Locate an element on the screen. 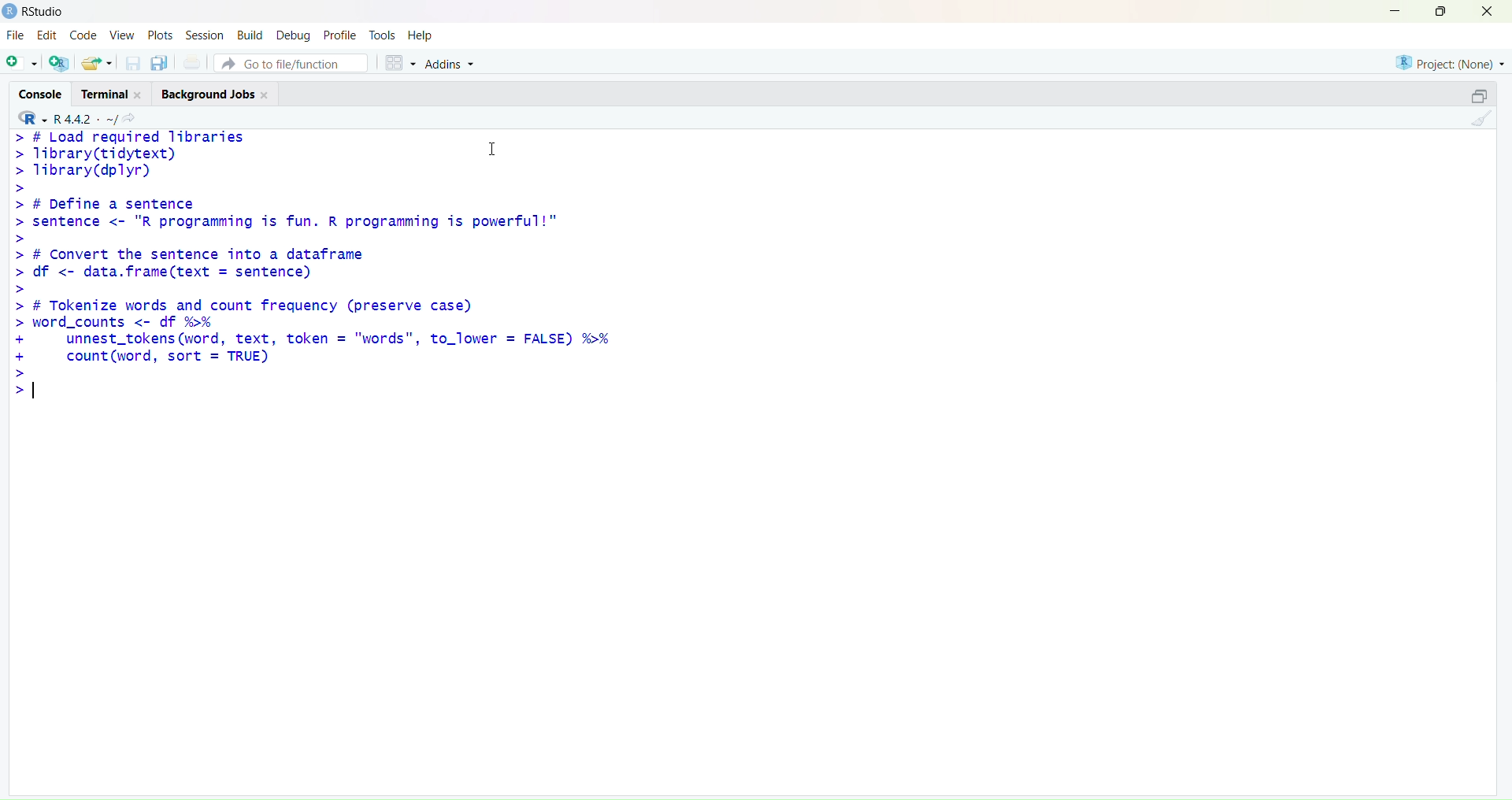 This screenshot has height=800, width=1512. minimize is located at coordinates (1393, 12).